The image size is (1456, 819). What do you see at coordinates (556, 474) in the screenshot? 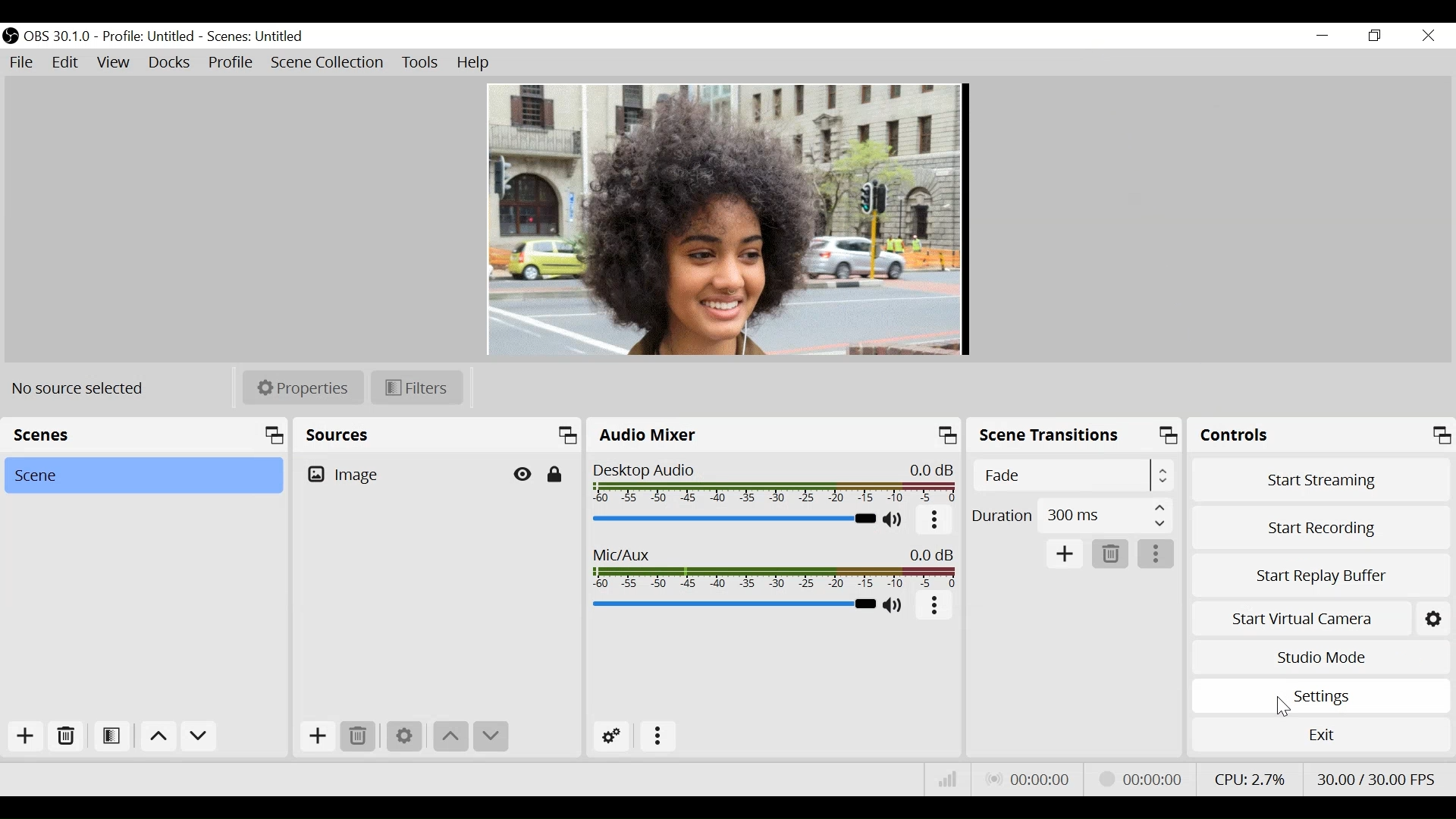
I see `(un)lock` at bounding box center [556, 474].